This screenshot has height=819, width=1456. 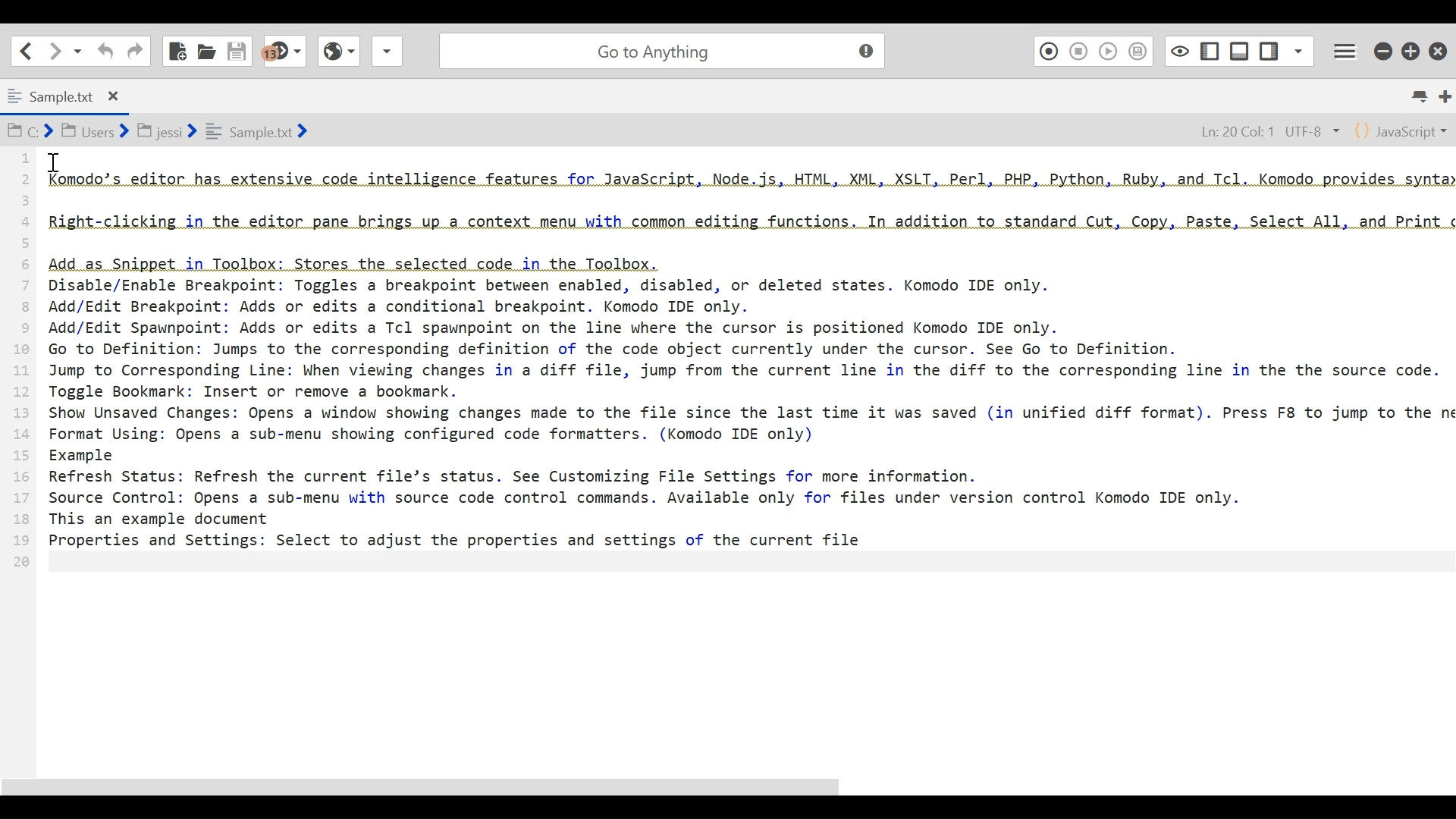 I want to click on Show/Hide Bottom Panel, so click(x=1240, y=49).